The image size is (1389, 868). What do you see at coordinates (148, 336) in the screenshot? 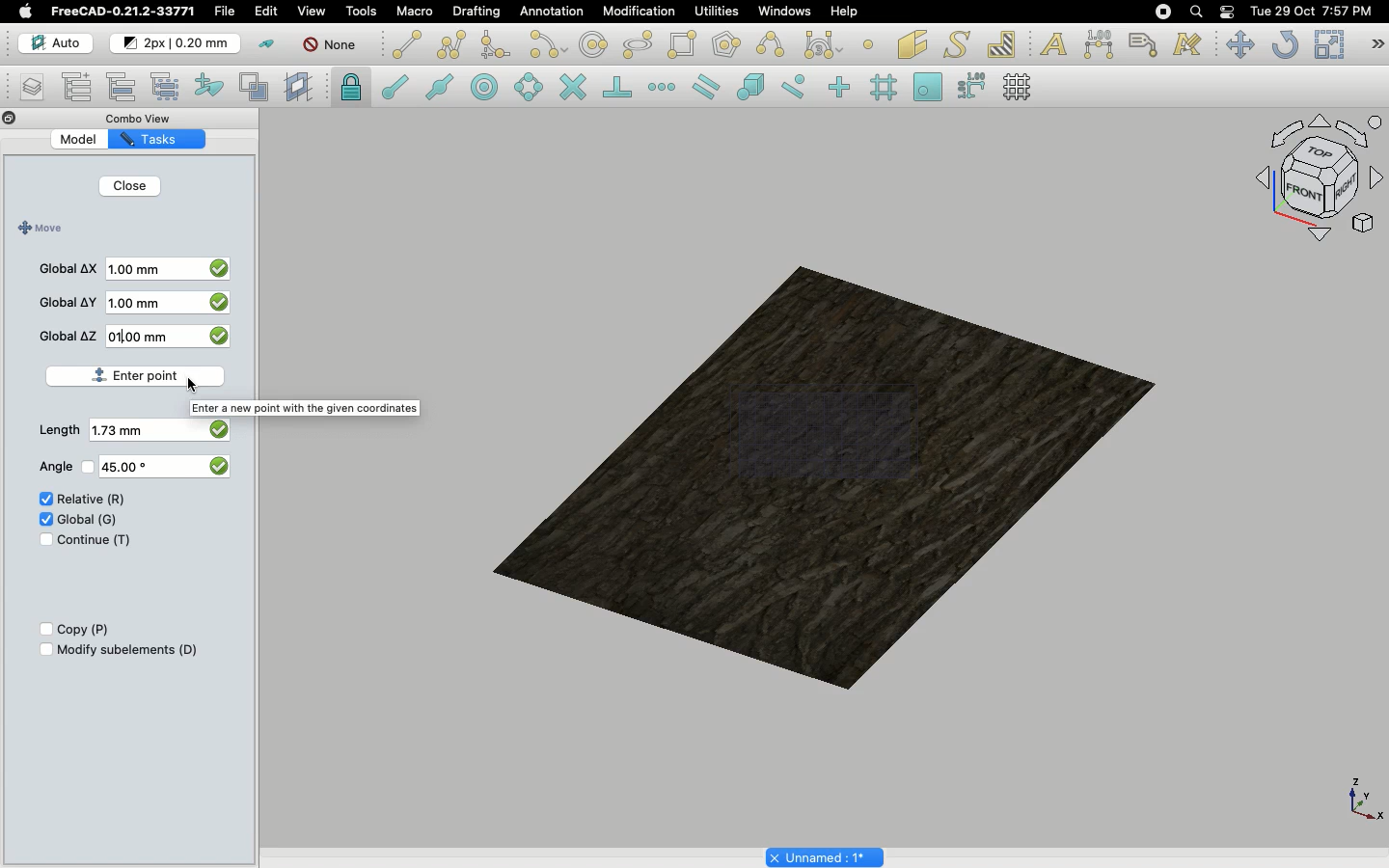
I see `1` at bounding box center [148, 336].